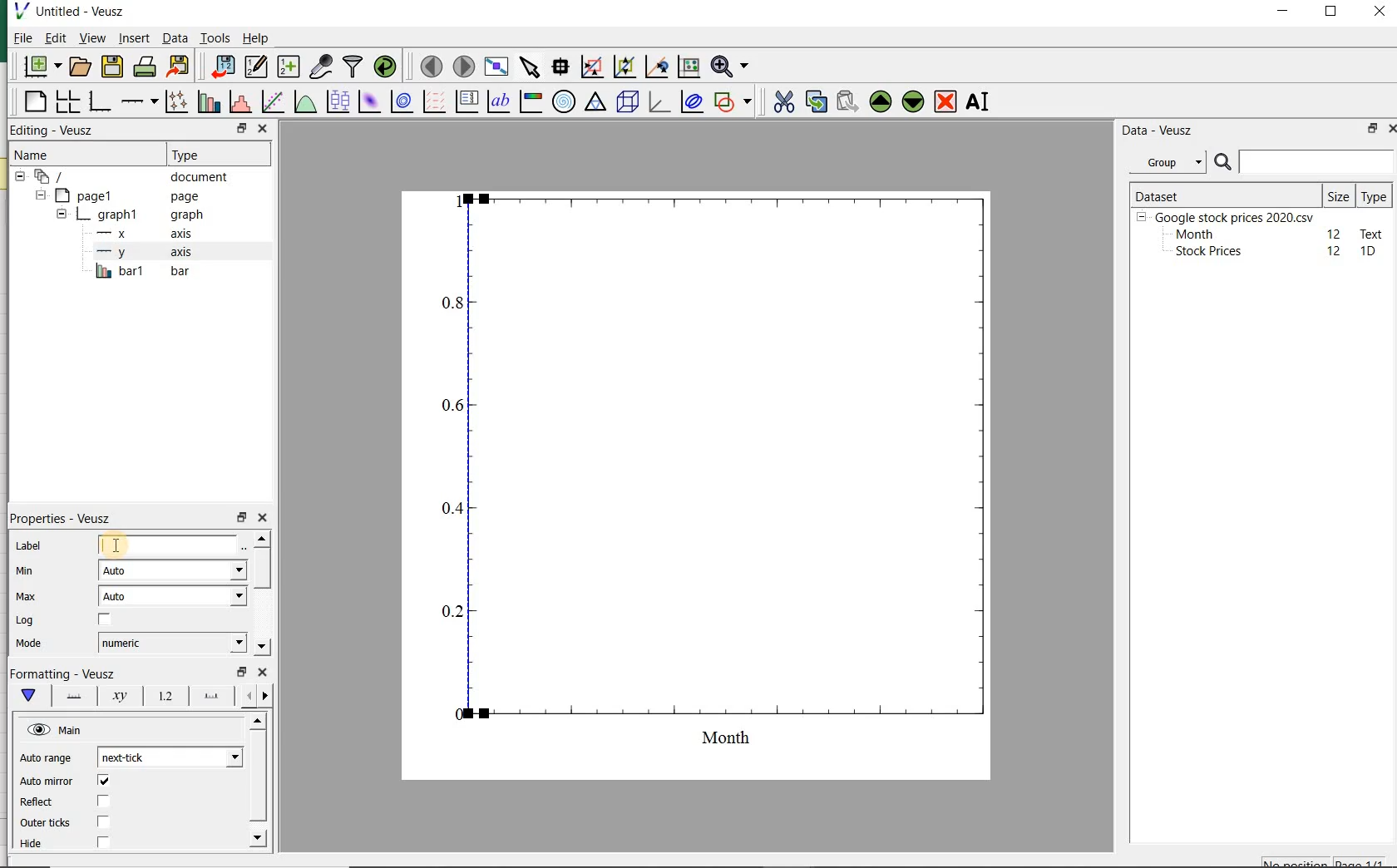  Describe the element at coordinates (127, 216) in the screenshot. I see `graph1` at that location.